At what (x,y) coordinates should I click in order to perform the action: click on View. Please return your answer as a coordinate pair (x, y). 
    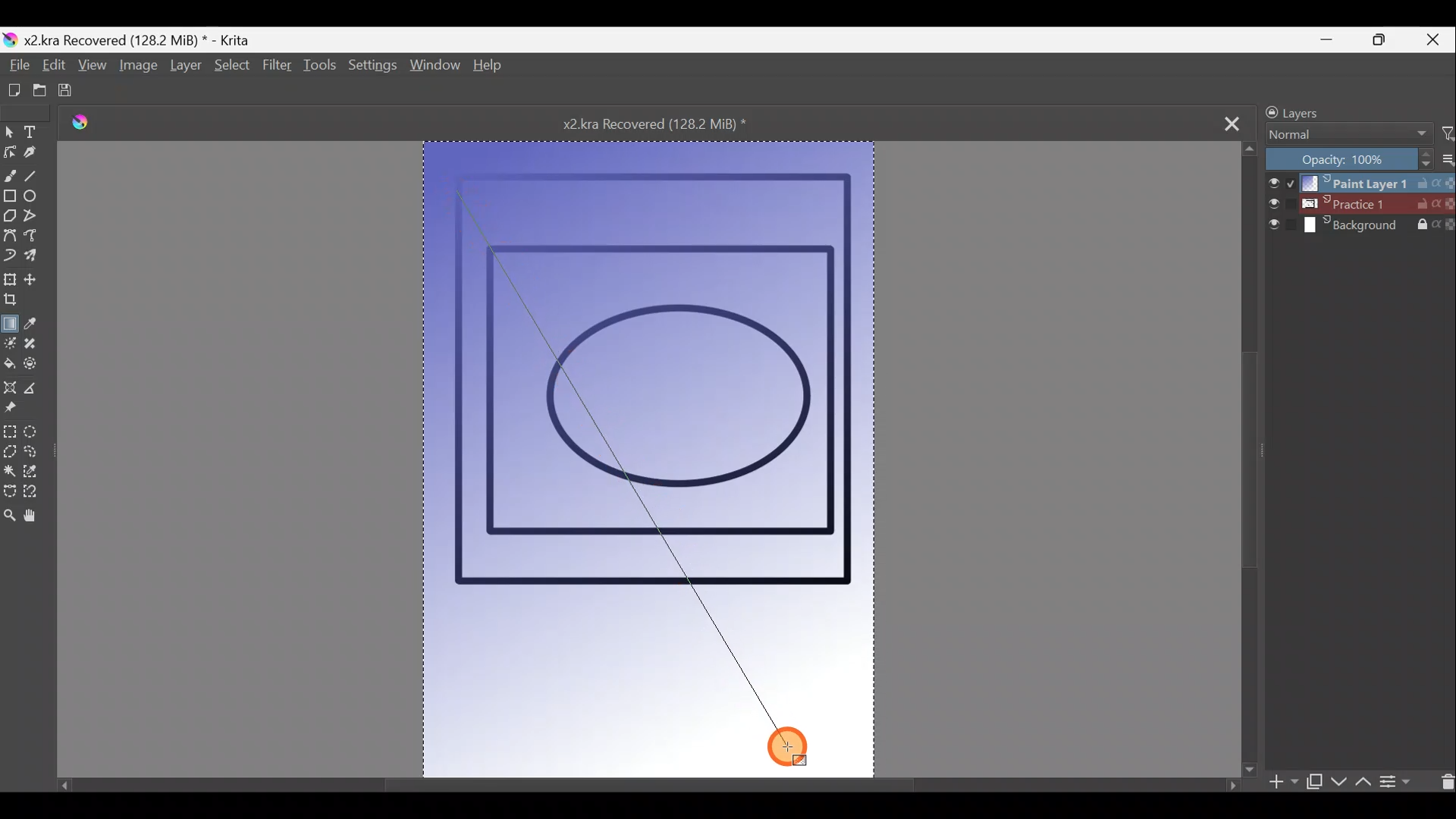
    Looking at the image, I should click on (93, 69).